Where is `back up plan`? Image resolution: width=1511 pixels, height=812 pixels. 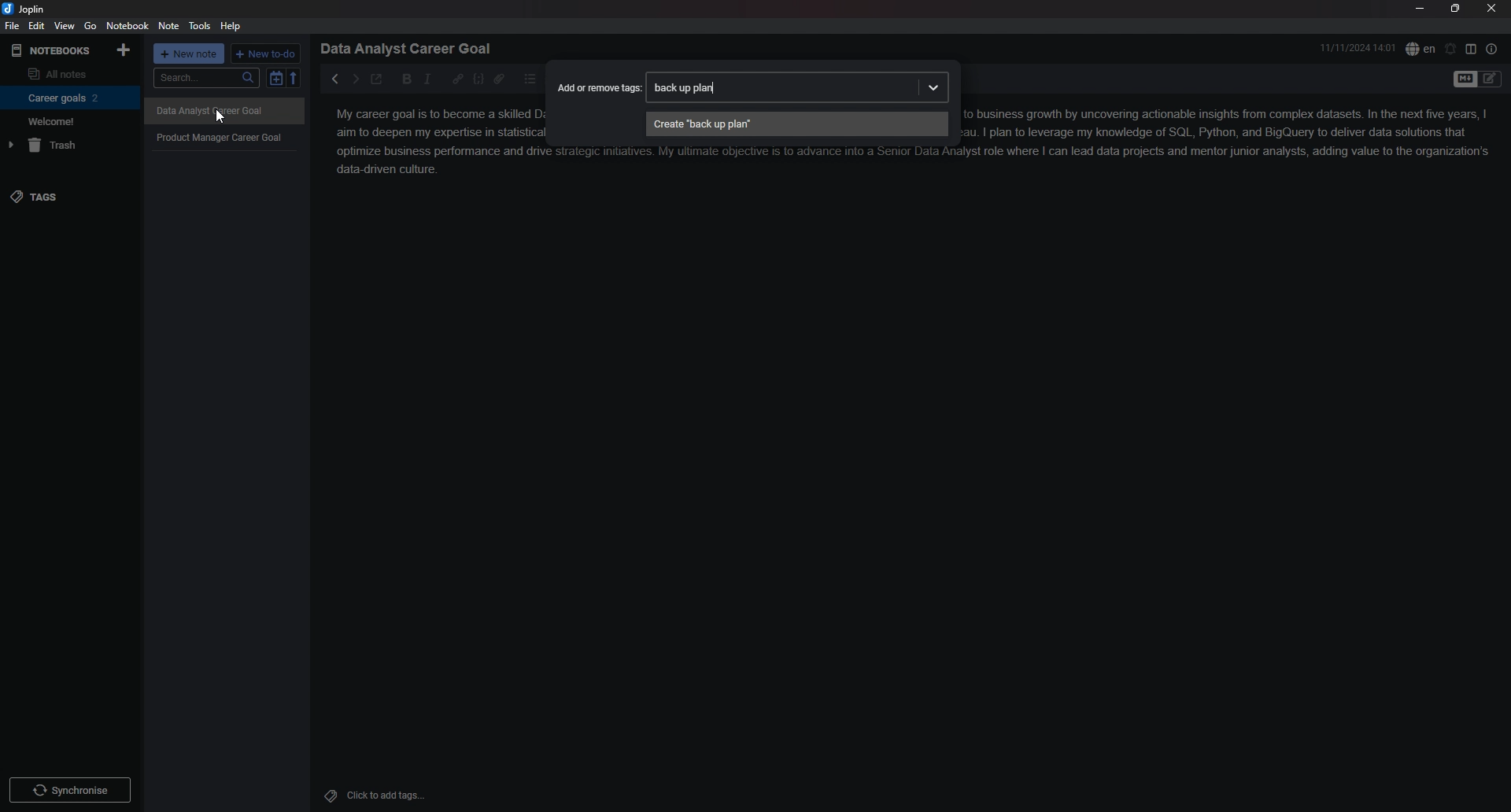
back up plan is located at coordinates (798, 87).